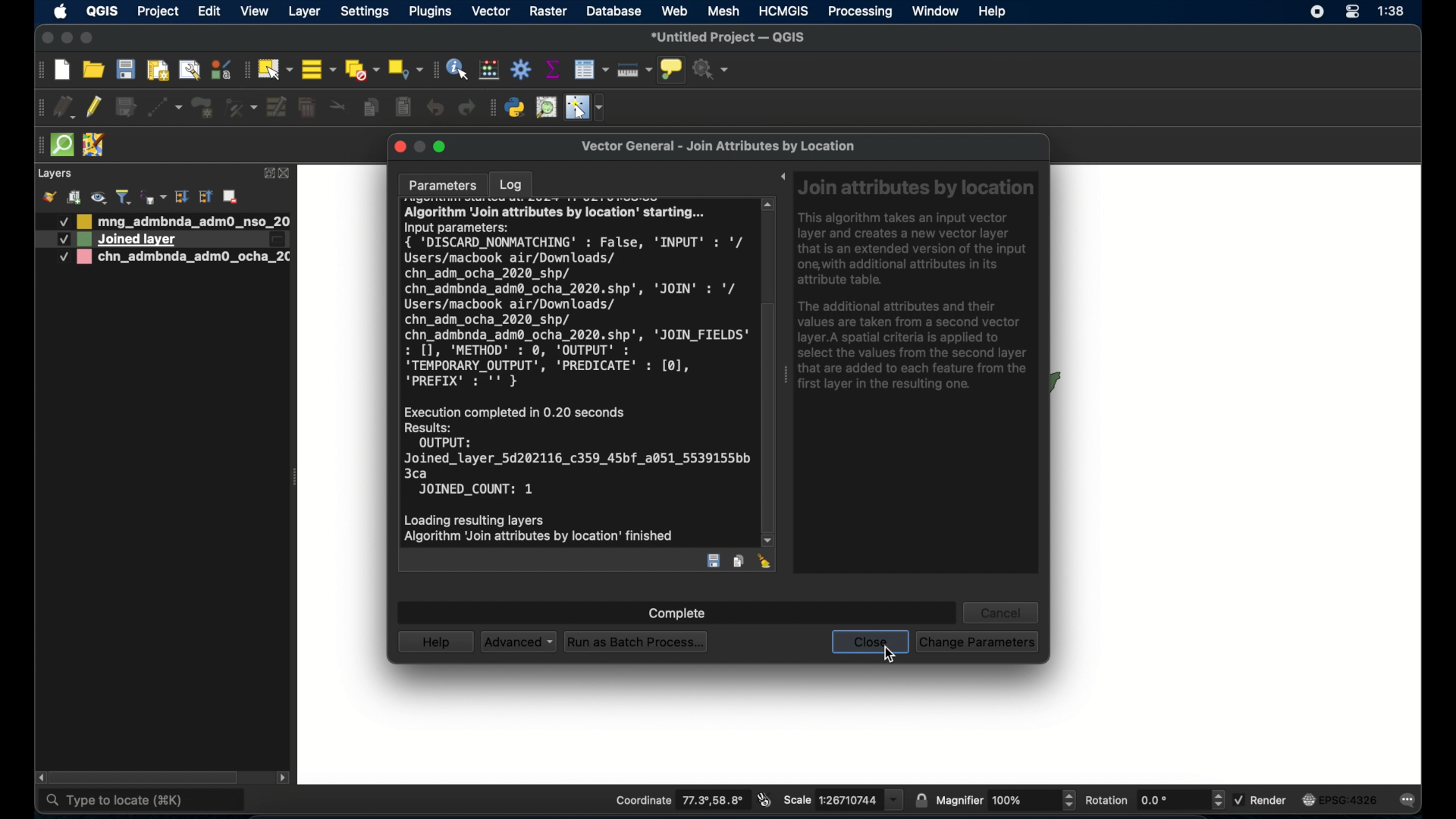 The height and width of the screenshot is (819, 1456). I want to click on HCMGIS, so click(783, 11).